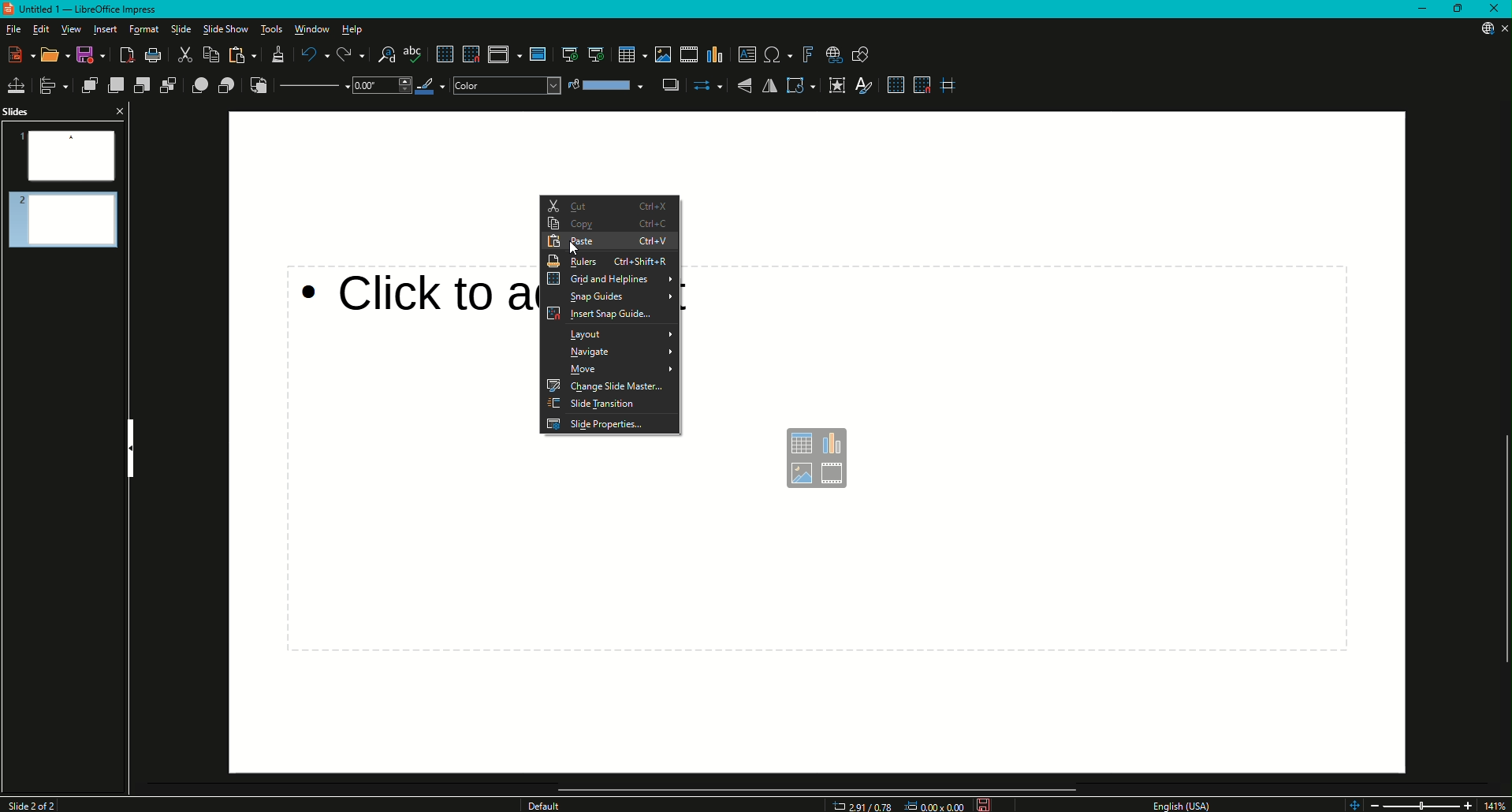 This screenshot has width=1512, height=812. What do you see at coordinates (746, 87) in the screenshot?
I see `Vertically` at bounding box center [746, 87].